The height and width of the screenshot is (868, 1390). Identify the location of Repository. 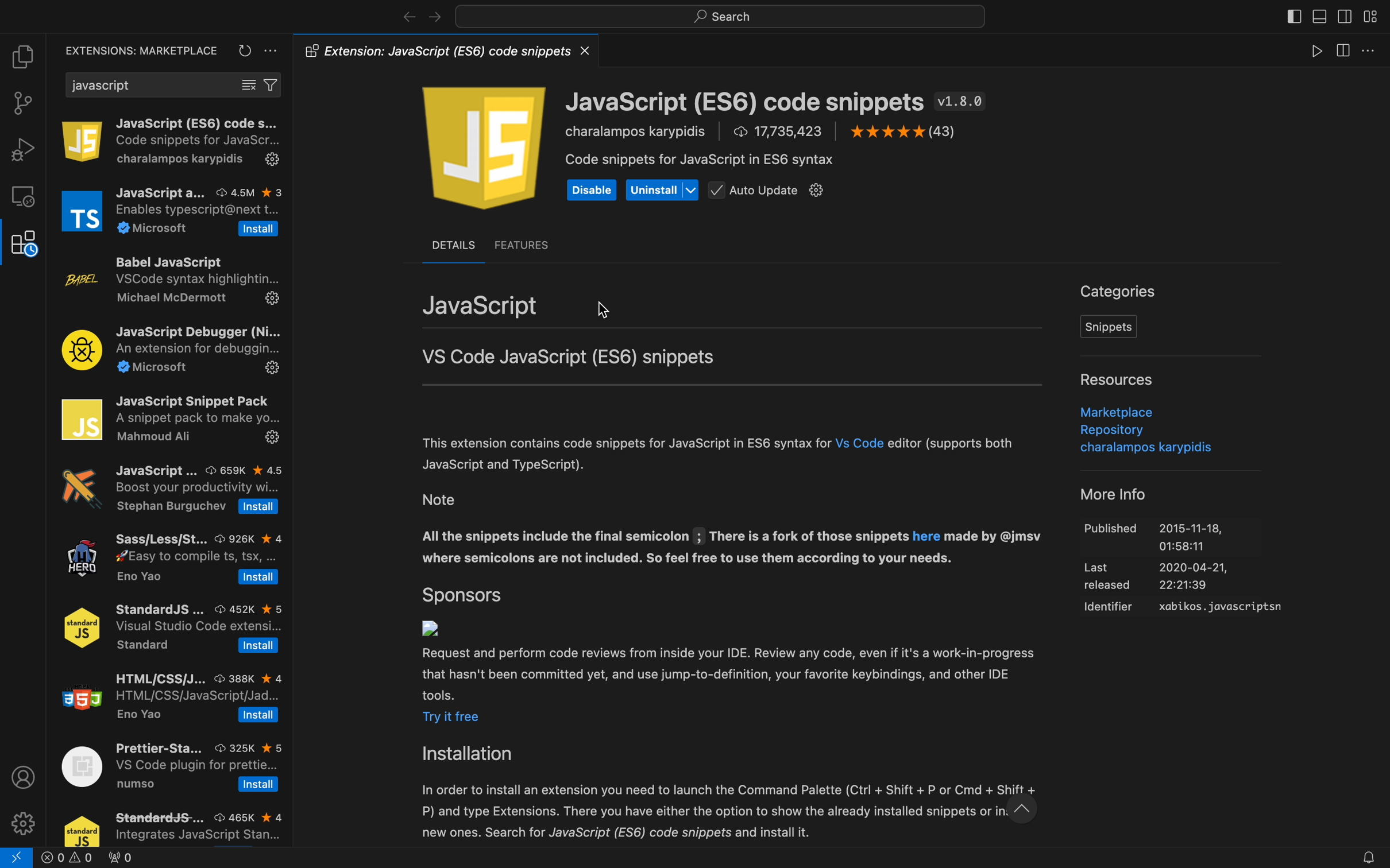
(1114, 431).